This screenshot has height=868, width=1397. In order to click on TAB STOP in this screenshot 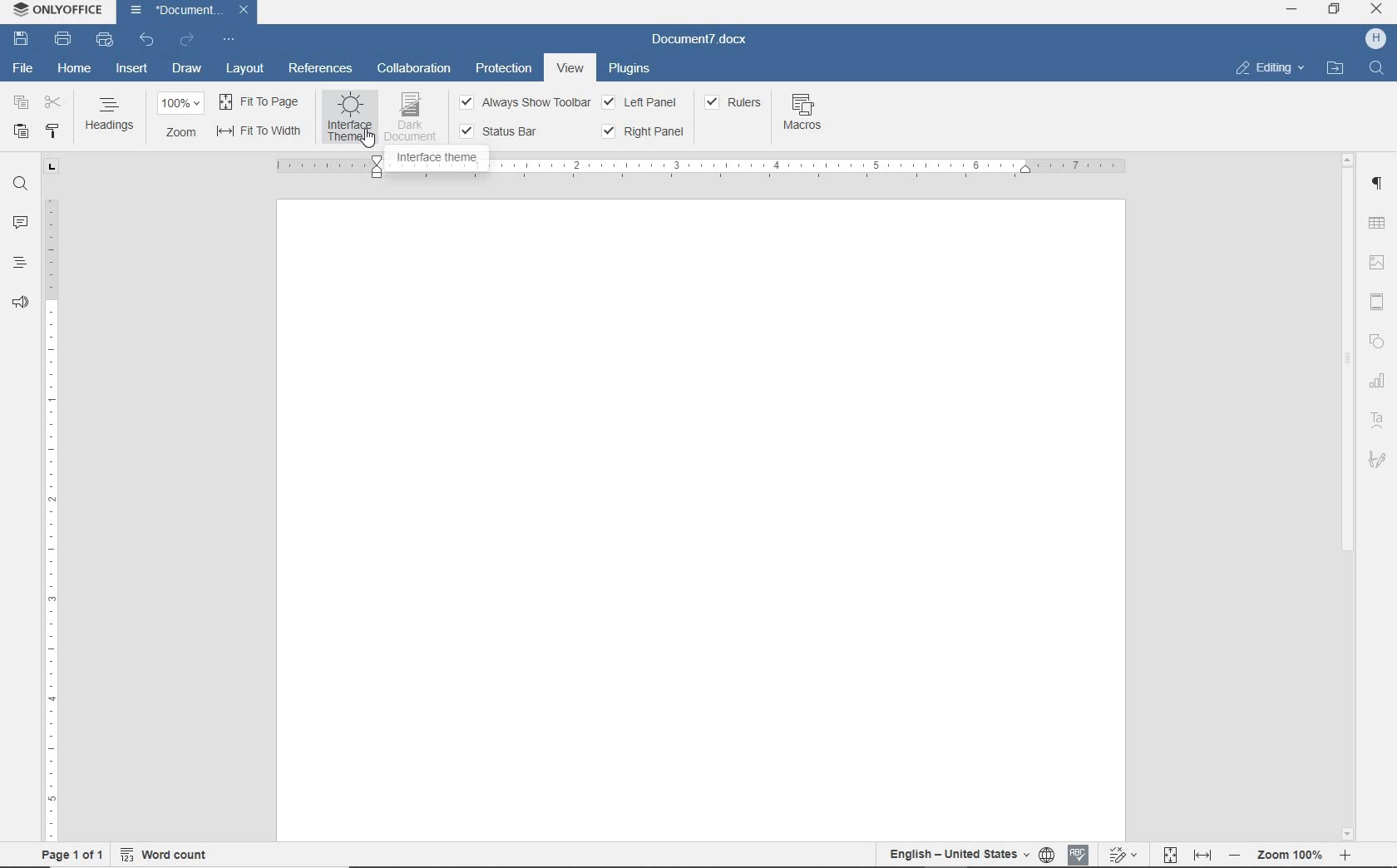, I will do `click(52, 168)`.